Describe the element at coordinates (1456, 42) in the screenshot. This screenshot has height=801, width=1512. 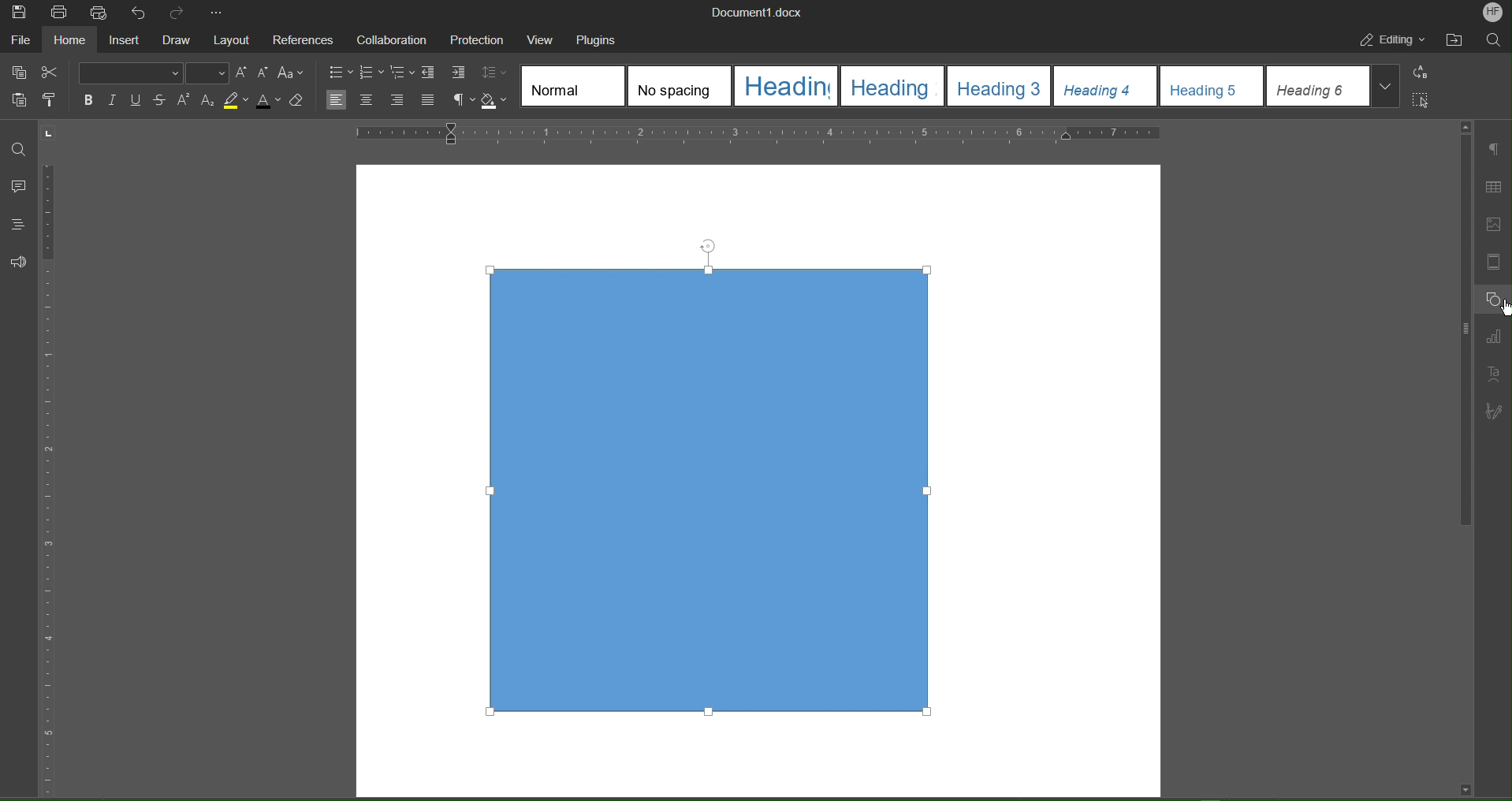
I see `Open File Location` at that location.